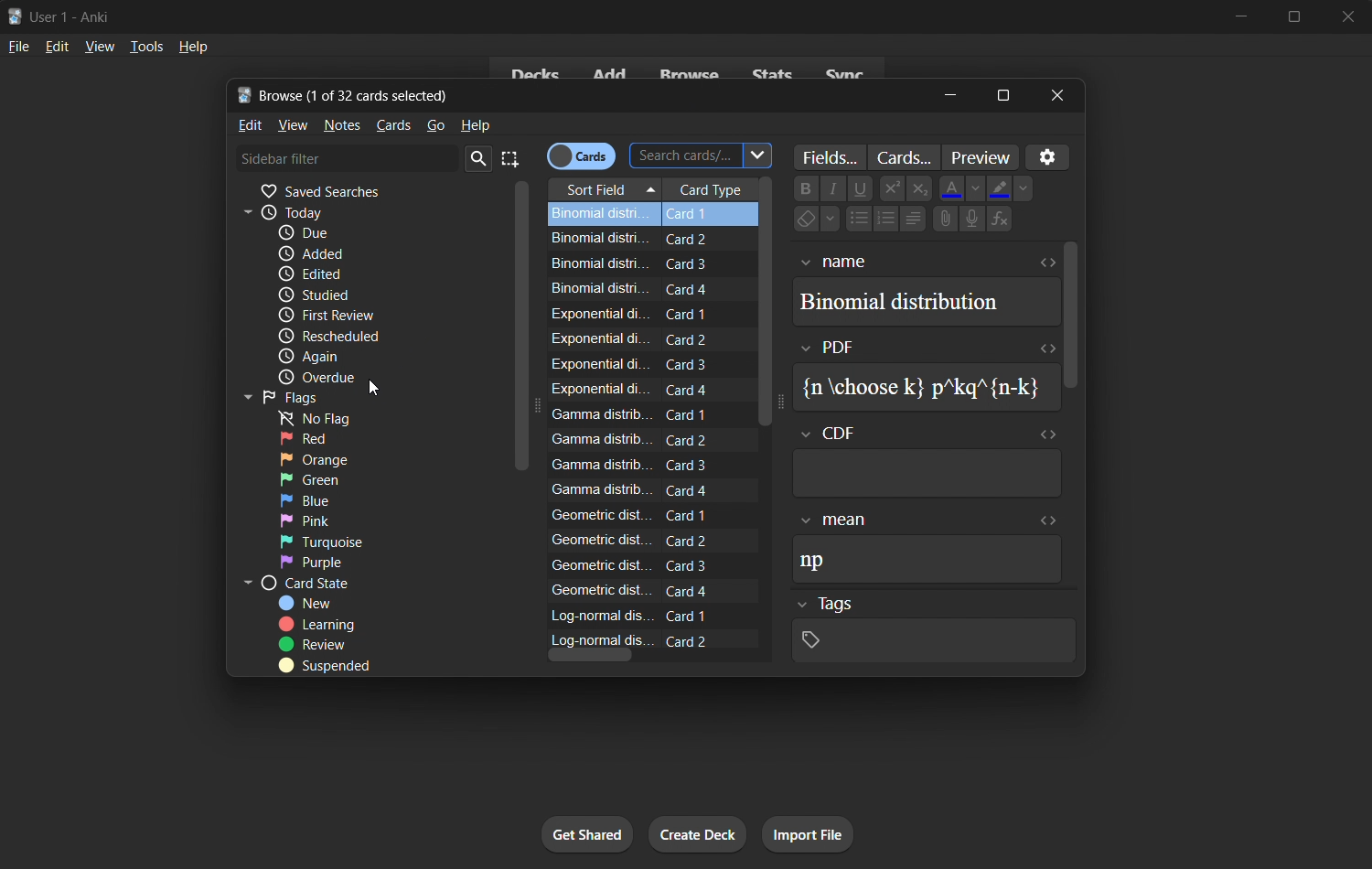  I want to click on minimize, so click(1246, 16).